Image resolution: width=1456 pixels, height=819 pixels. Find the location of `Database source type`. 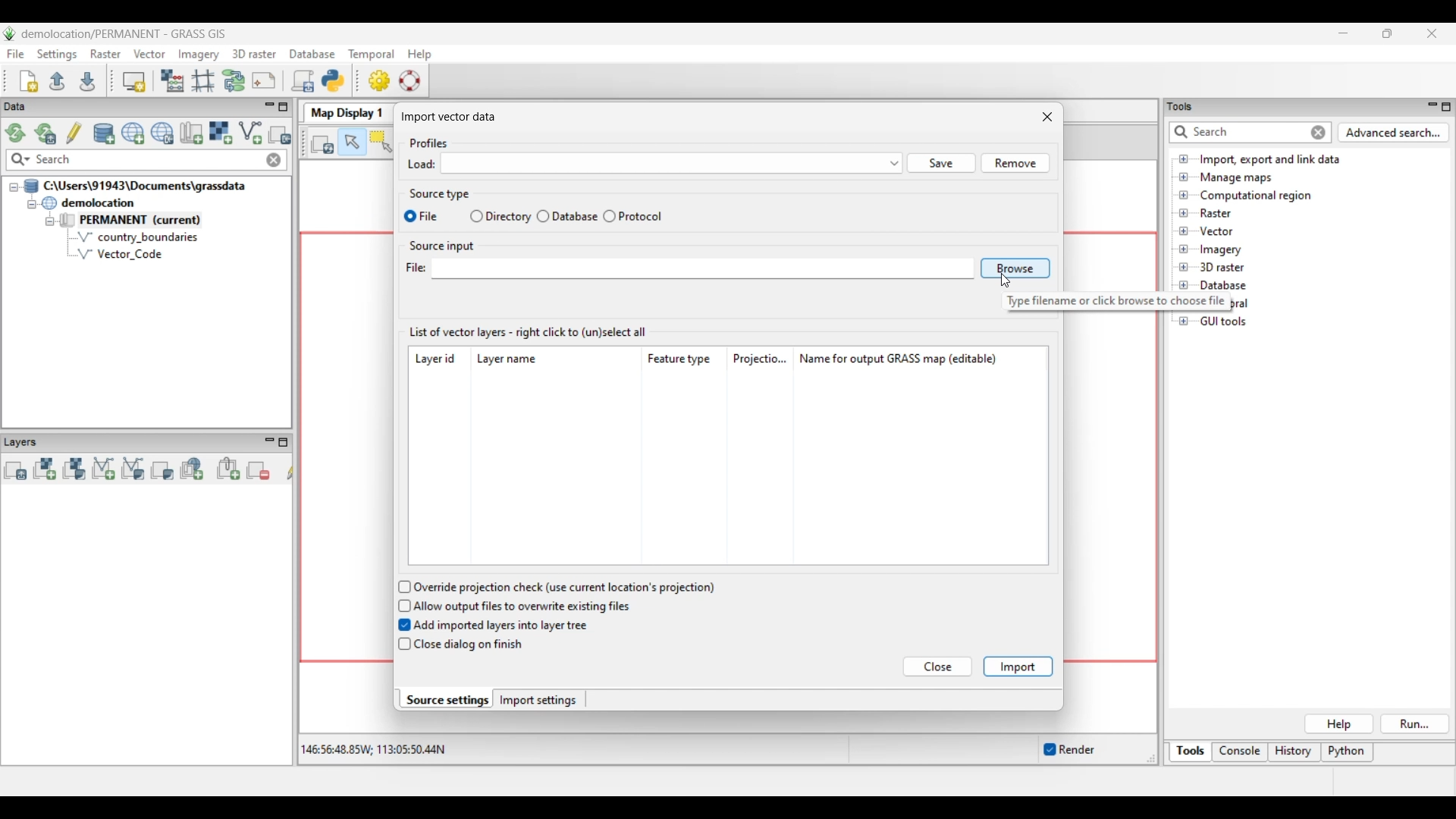

Database source type is located at coordinates (575, 215).